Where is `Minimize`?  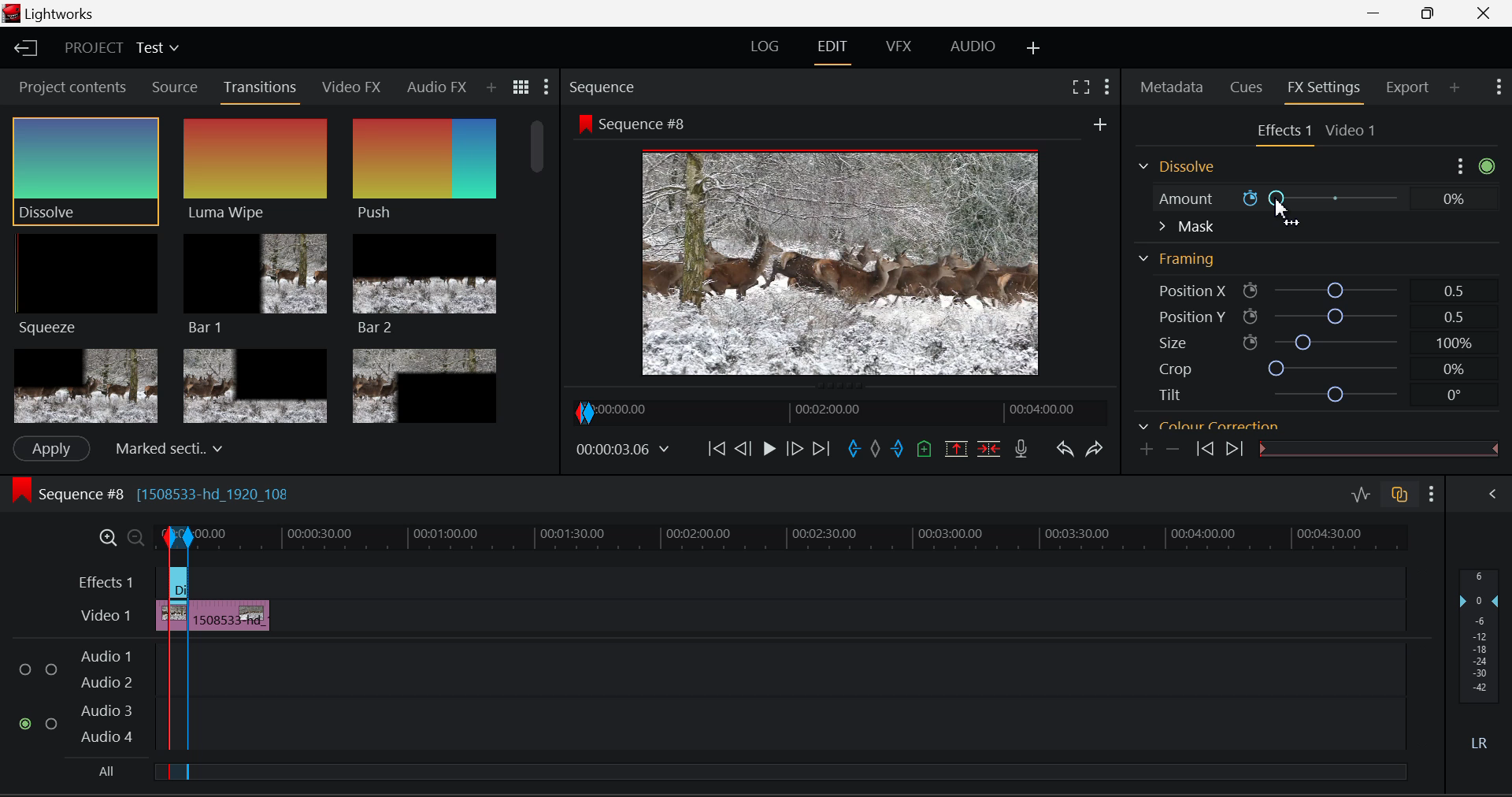 Minimize is located at coordinates (1431, 14).